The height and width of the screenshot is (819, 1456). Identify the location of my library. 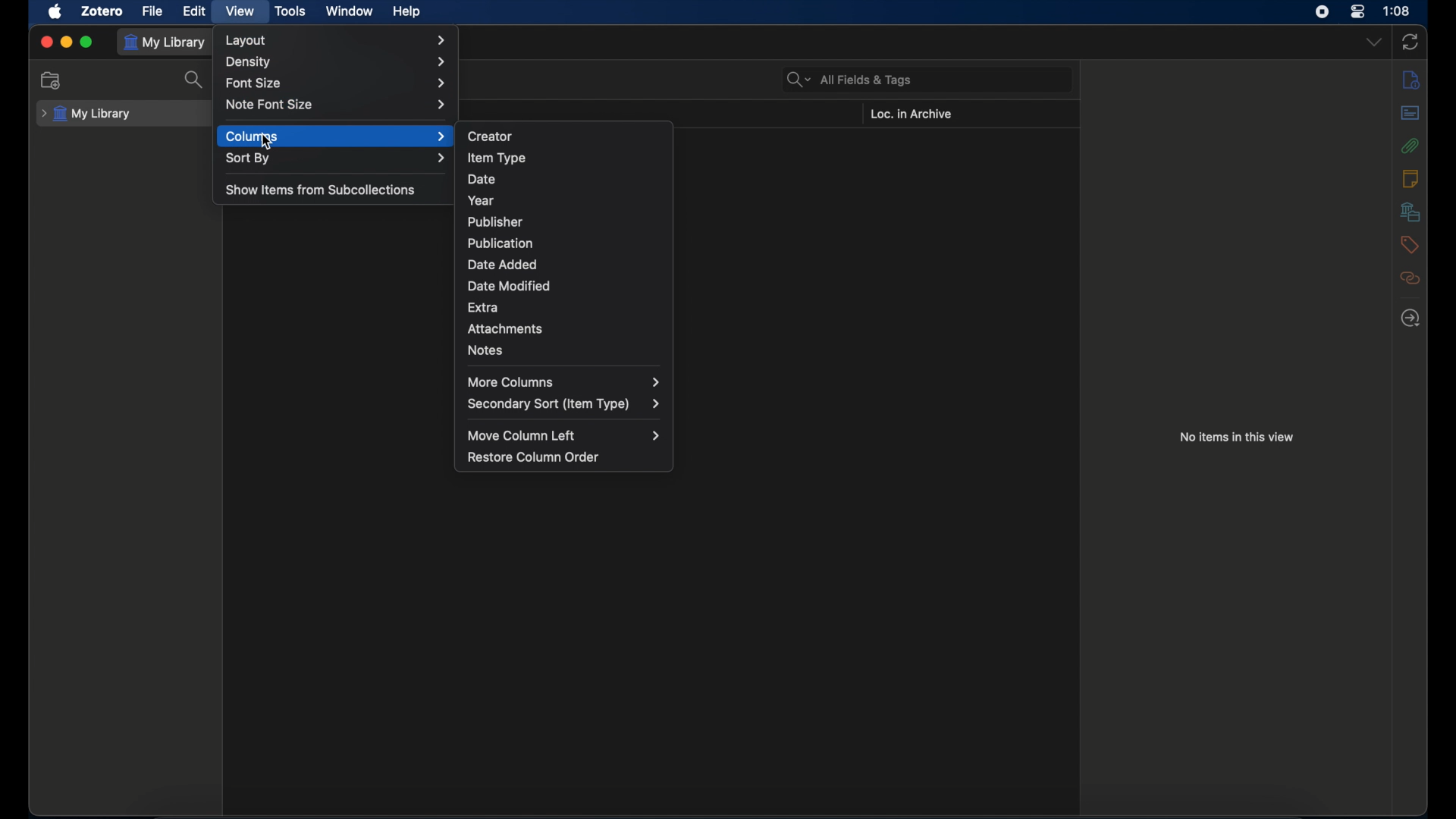
(167, 42).